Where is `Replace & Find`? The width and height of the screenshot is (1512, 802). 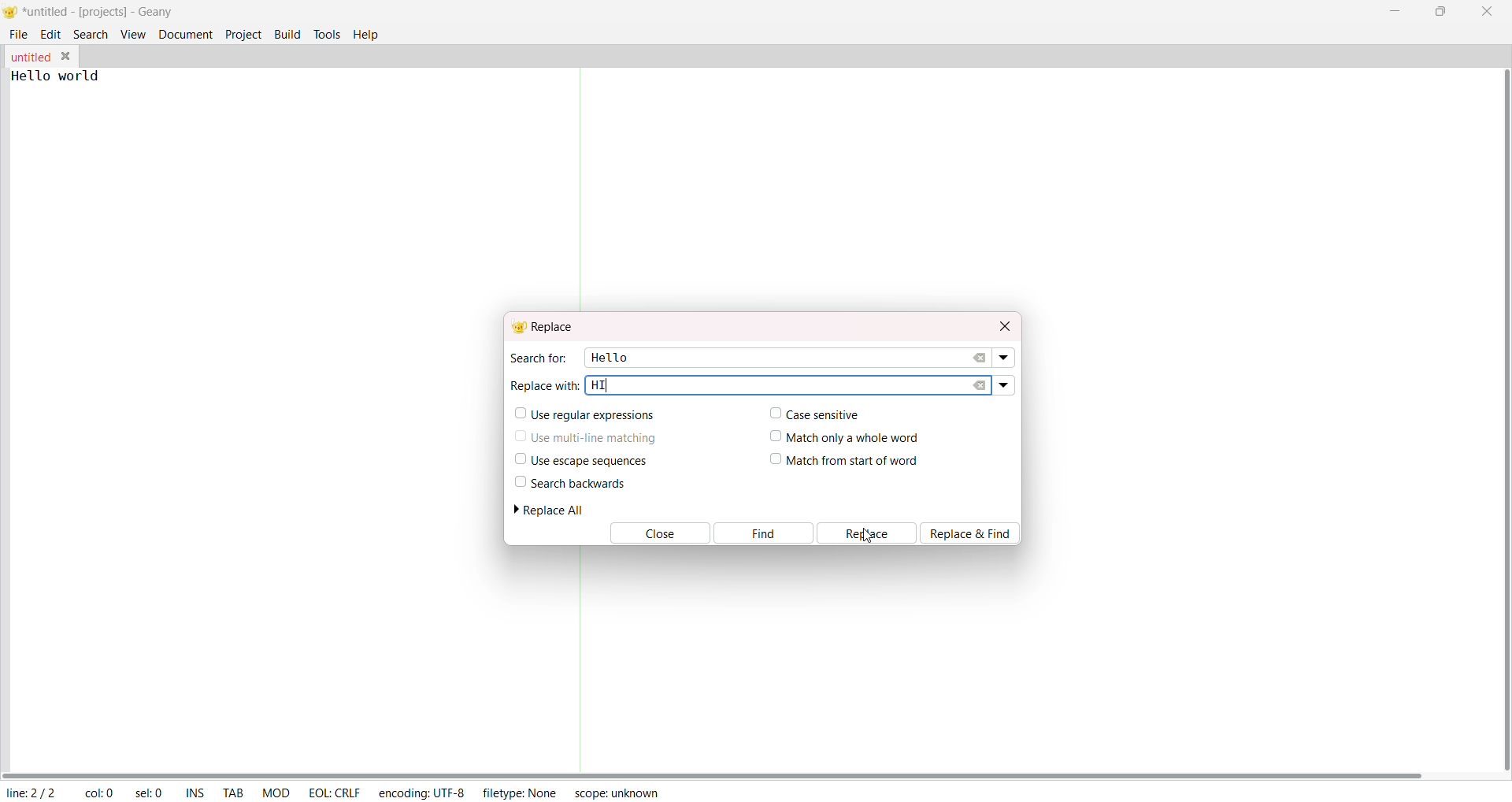 Replace & Find is located at coordinates (975, 533).